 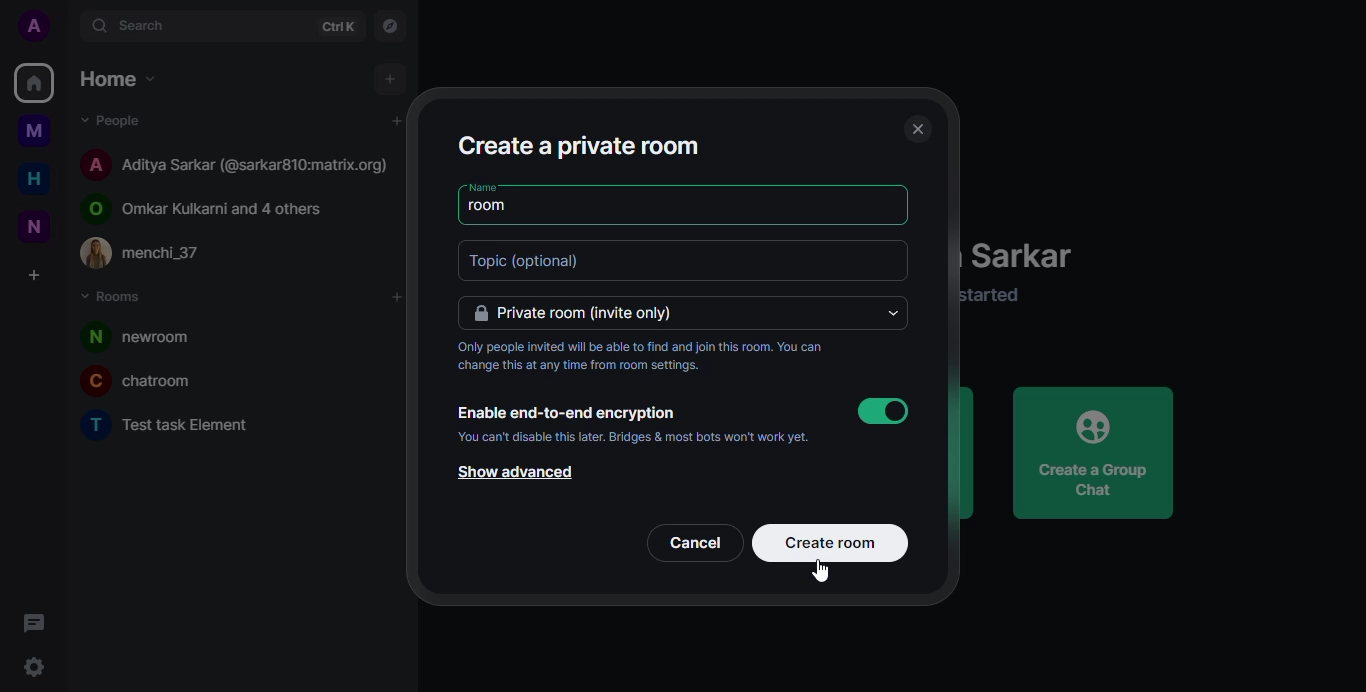 I want to click on quick settings, so click(x=33, y=668).